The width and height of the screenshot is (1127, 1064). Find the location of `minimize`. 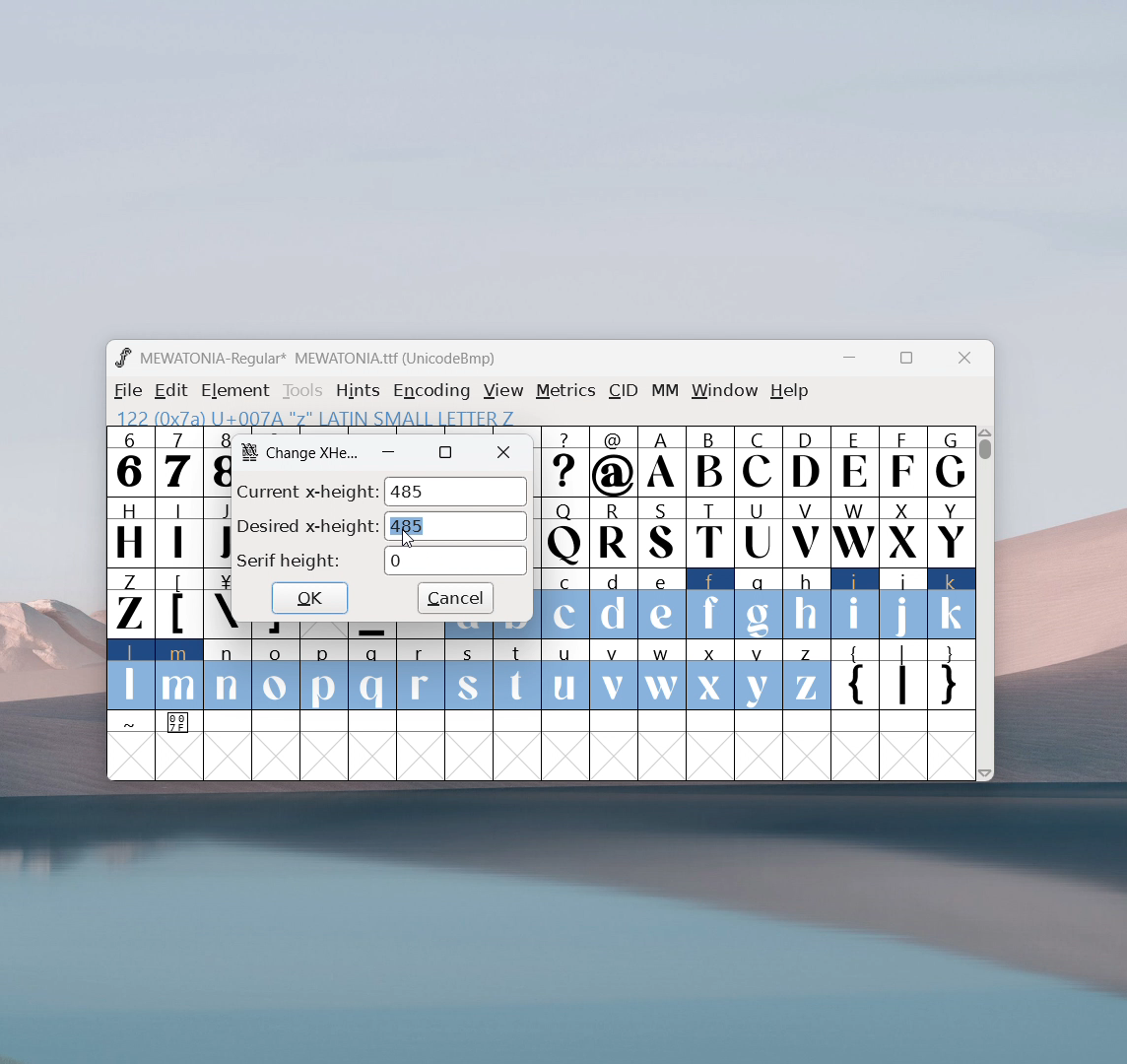

minimize is located at coordinates (389, 452).